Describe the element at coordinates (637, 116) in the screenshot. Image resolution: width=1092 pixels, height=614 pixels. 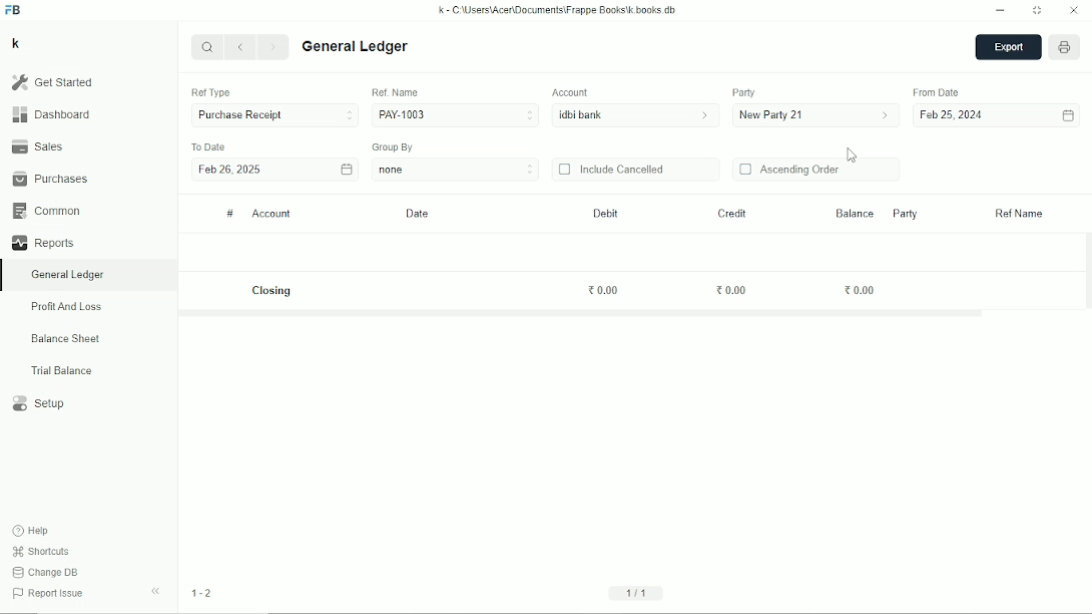
I see `idbi bank` at that location.